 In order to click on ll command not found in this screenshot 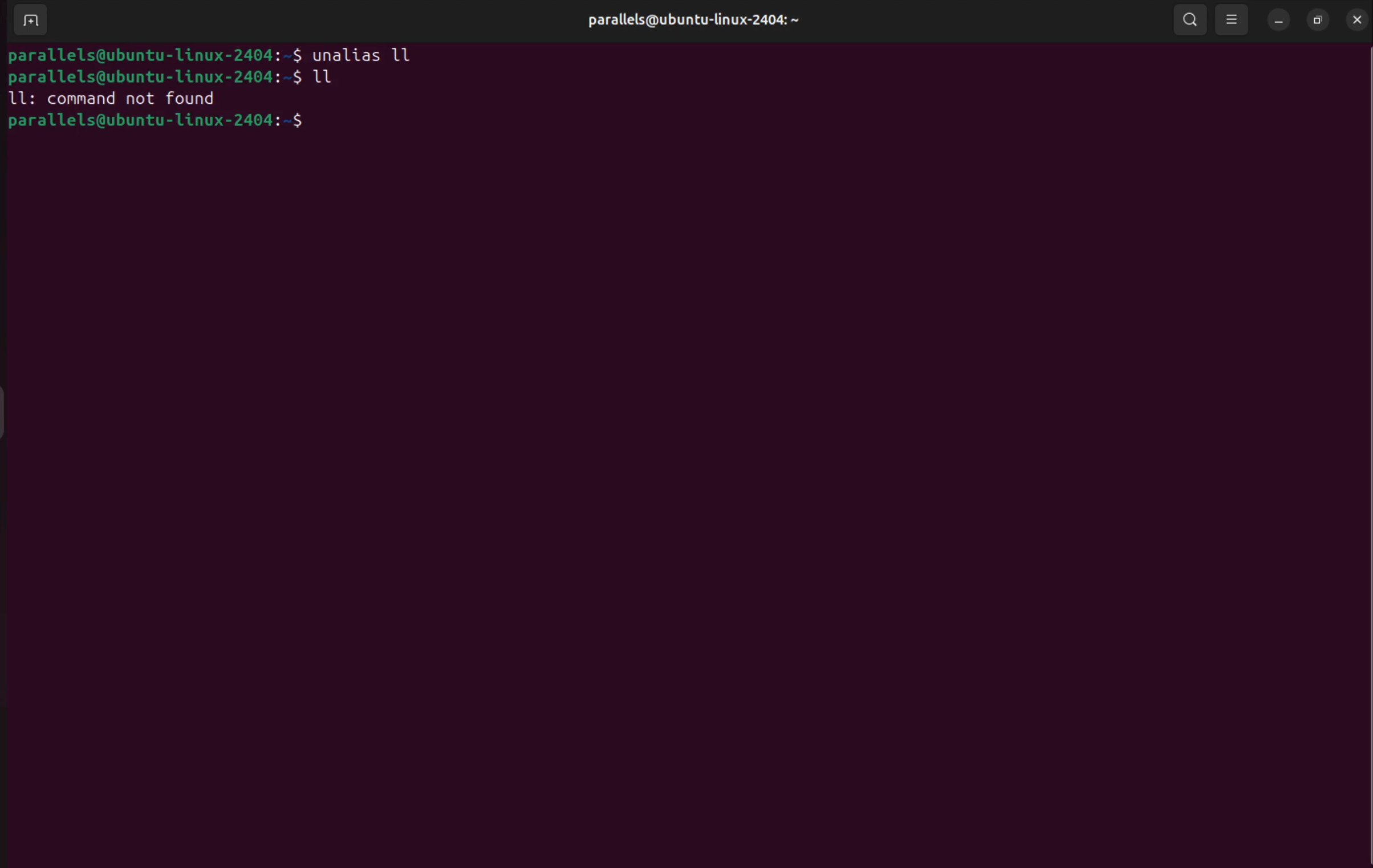, I will do `click(120, 99)`.